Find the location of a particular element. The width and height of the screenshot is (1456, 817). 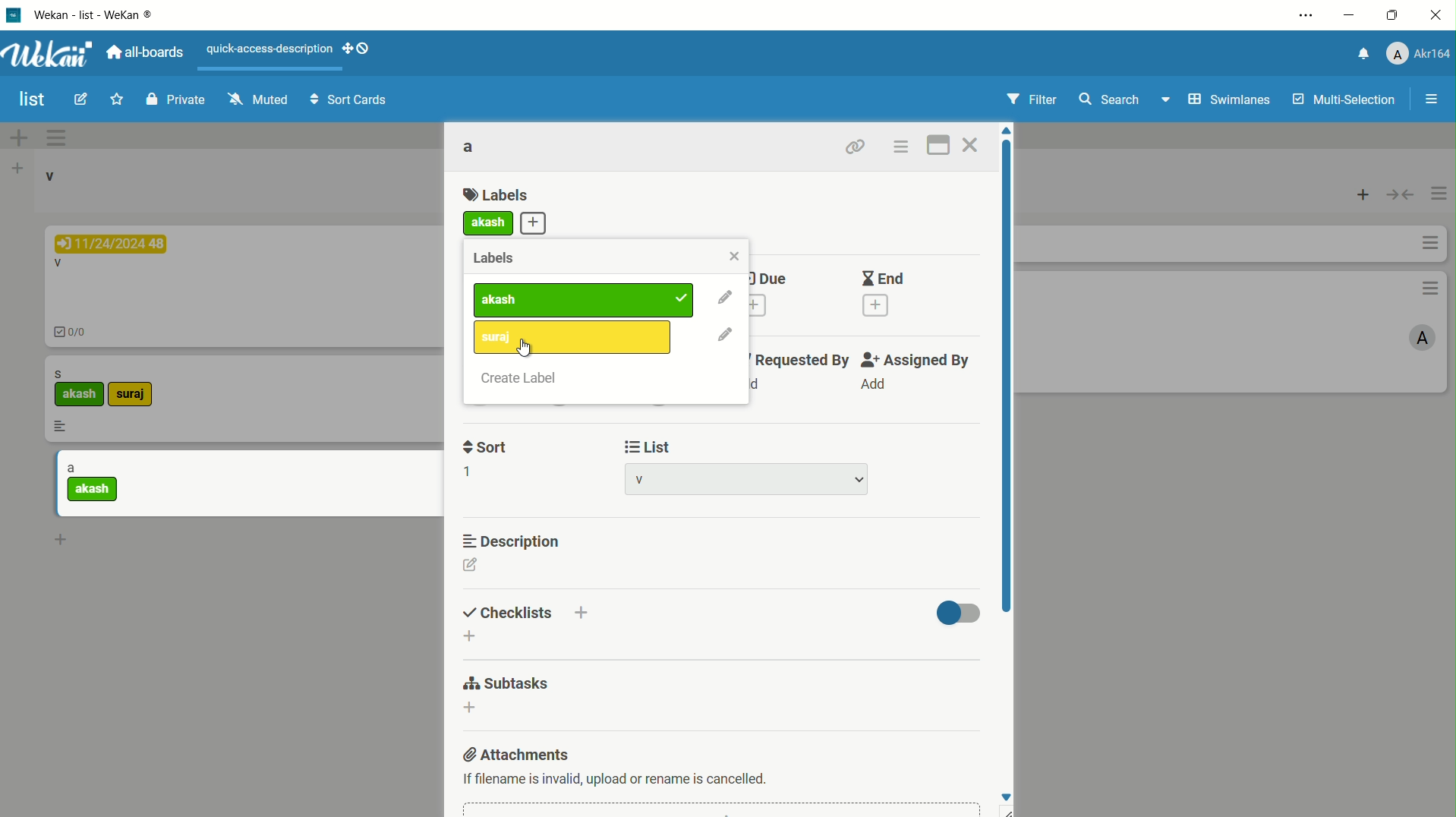

options is located at coordinates (55, 138).